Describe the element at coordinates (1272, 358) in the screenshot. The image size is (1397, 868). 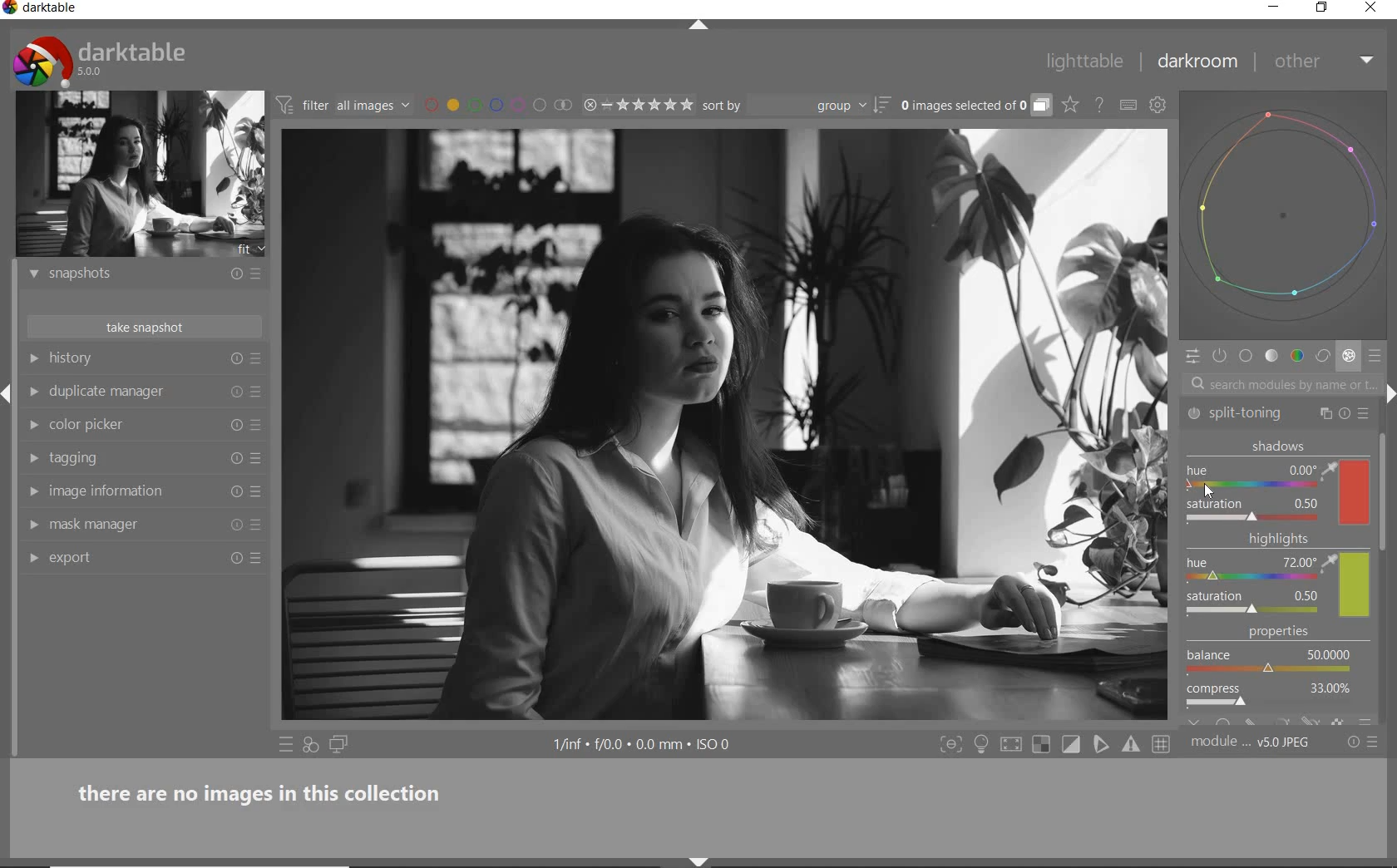
I see `tone` at that location.